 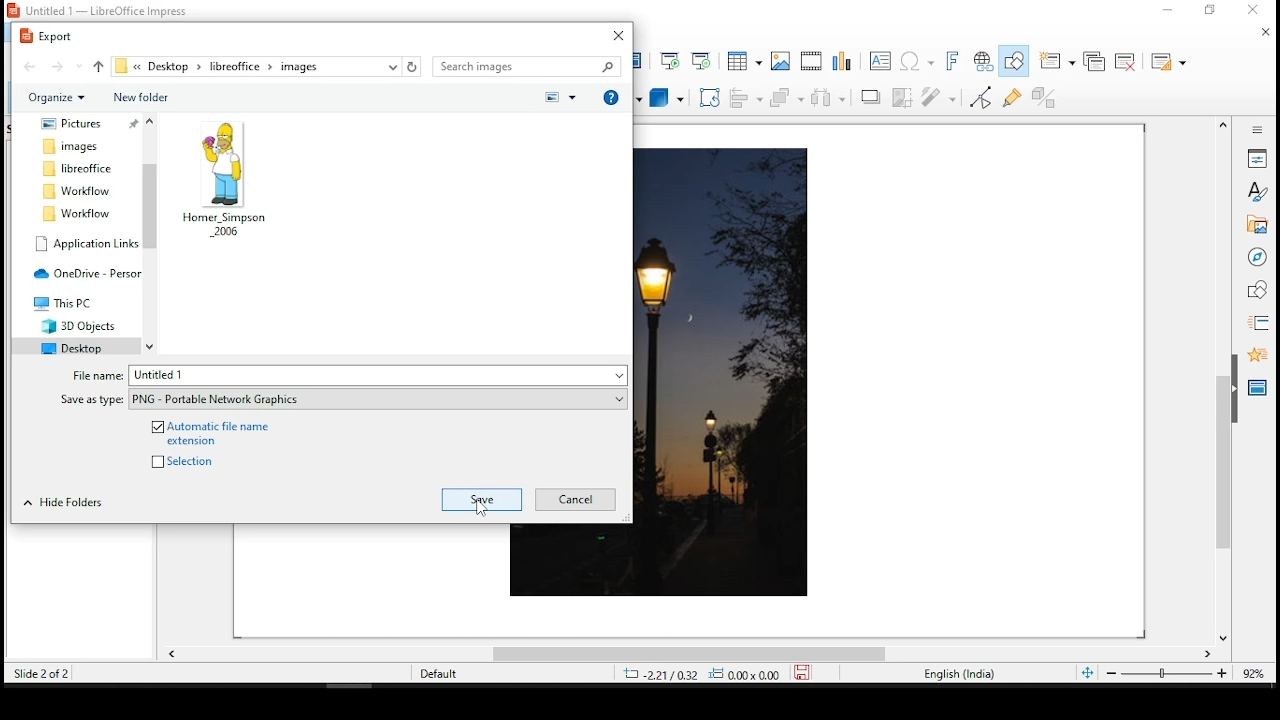 What do you see at coordinates (746, 99) in the screenshot?
I see `align objects` at bounding box center [746, 99].